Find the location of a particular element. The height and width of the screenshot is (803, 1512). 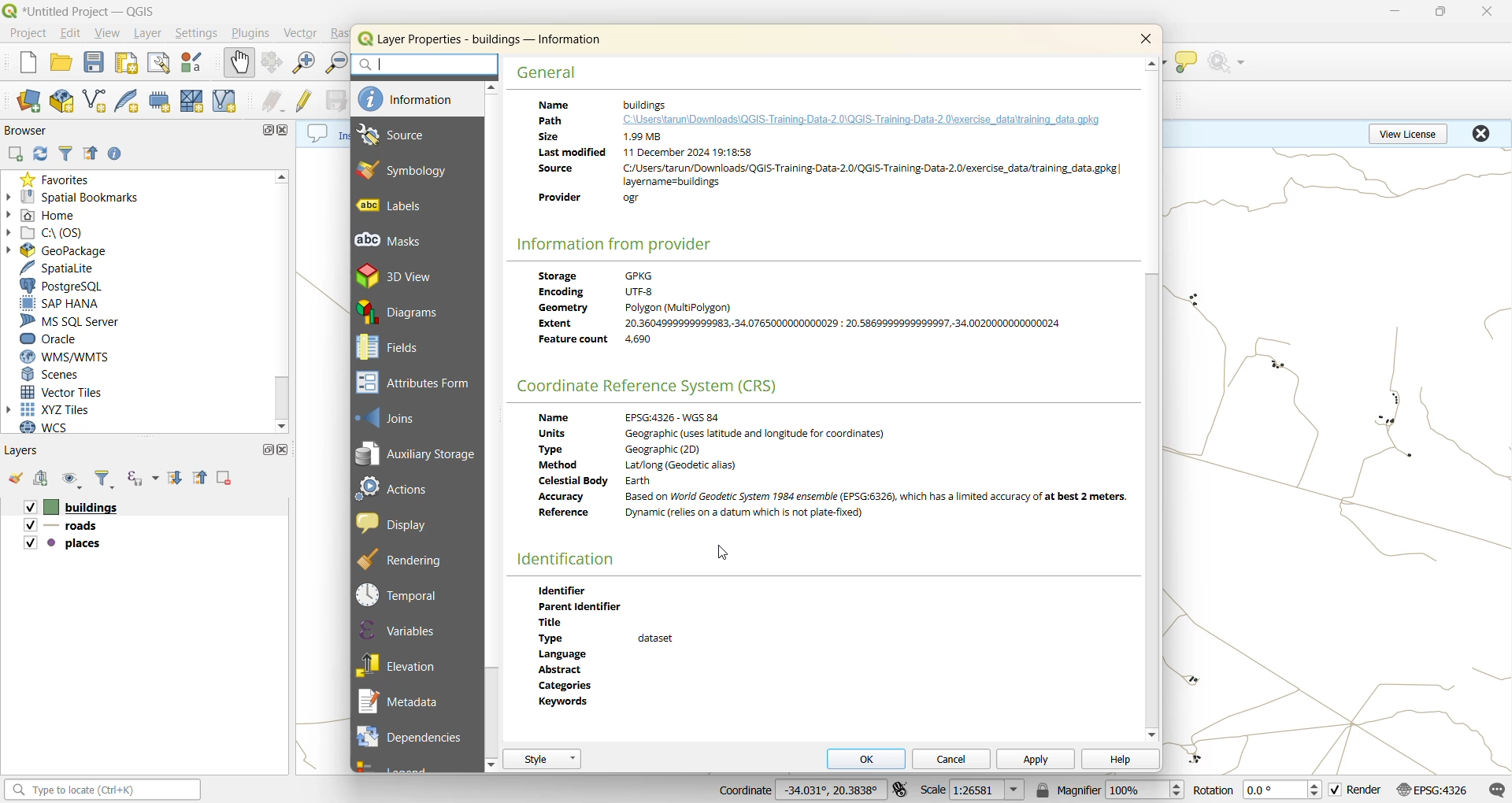

wms is located at coordinates (70, 357).